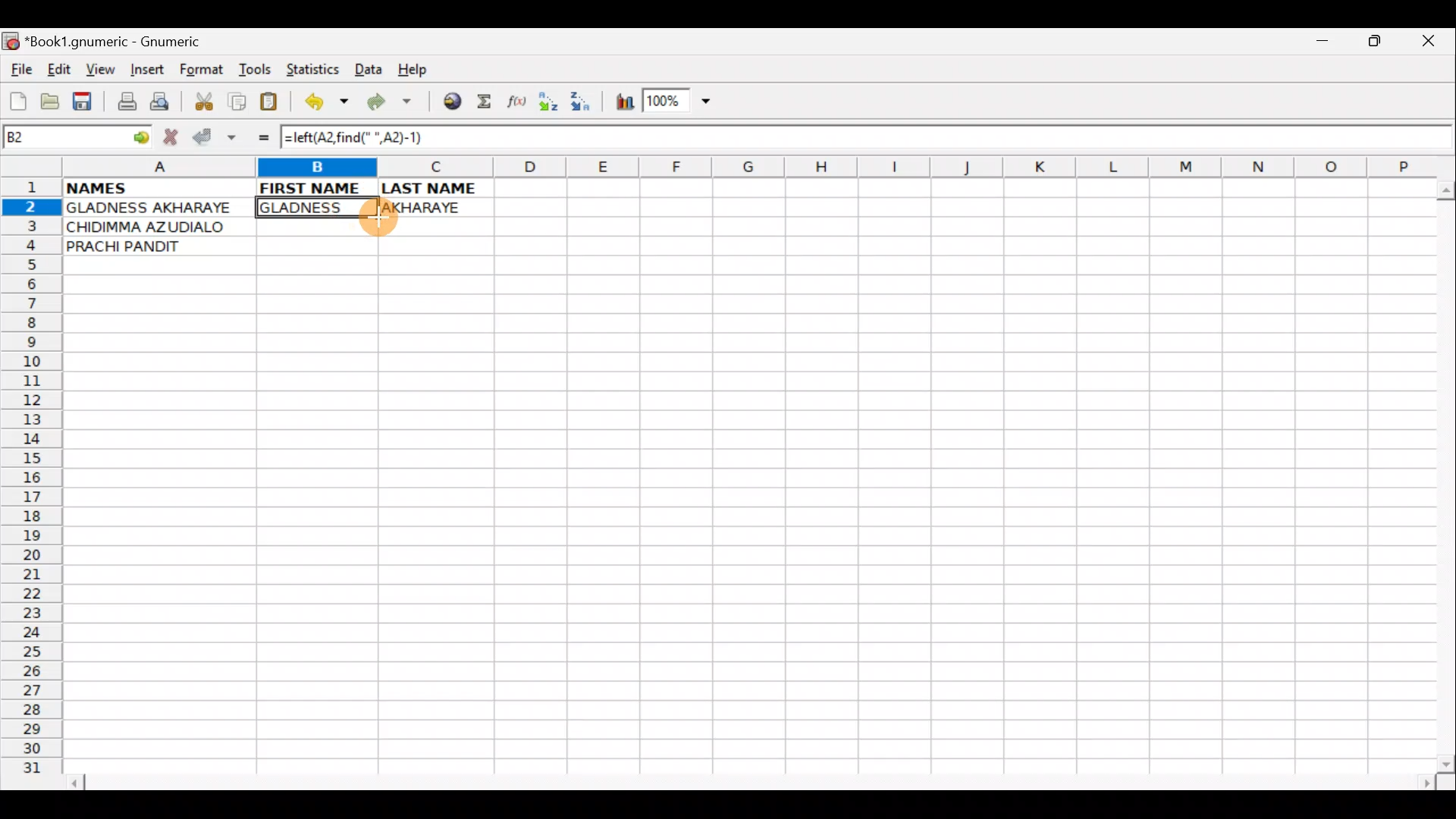 Image resolution: width=1456 pixels, height=819 pixels. Describe the element at coordinates (948, 141) in the screenshot. I see `Formula bar` at that location.